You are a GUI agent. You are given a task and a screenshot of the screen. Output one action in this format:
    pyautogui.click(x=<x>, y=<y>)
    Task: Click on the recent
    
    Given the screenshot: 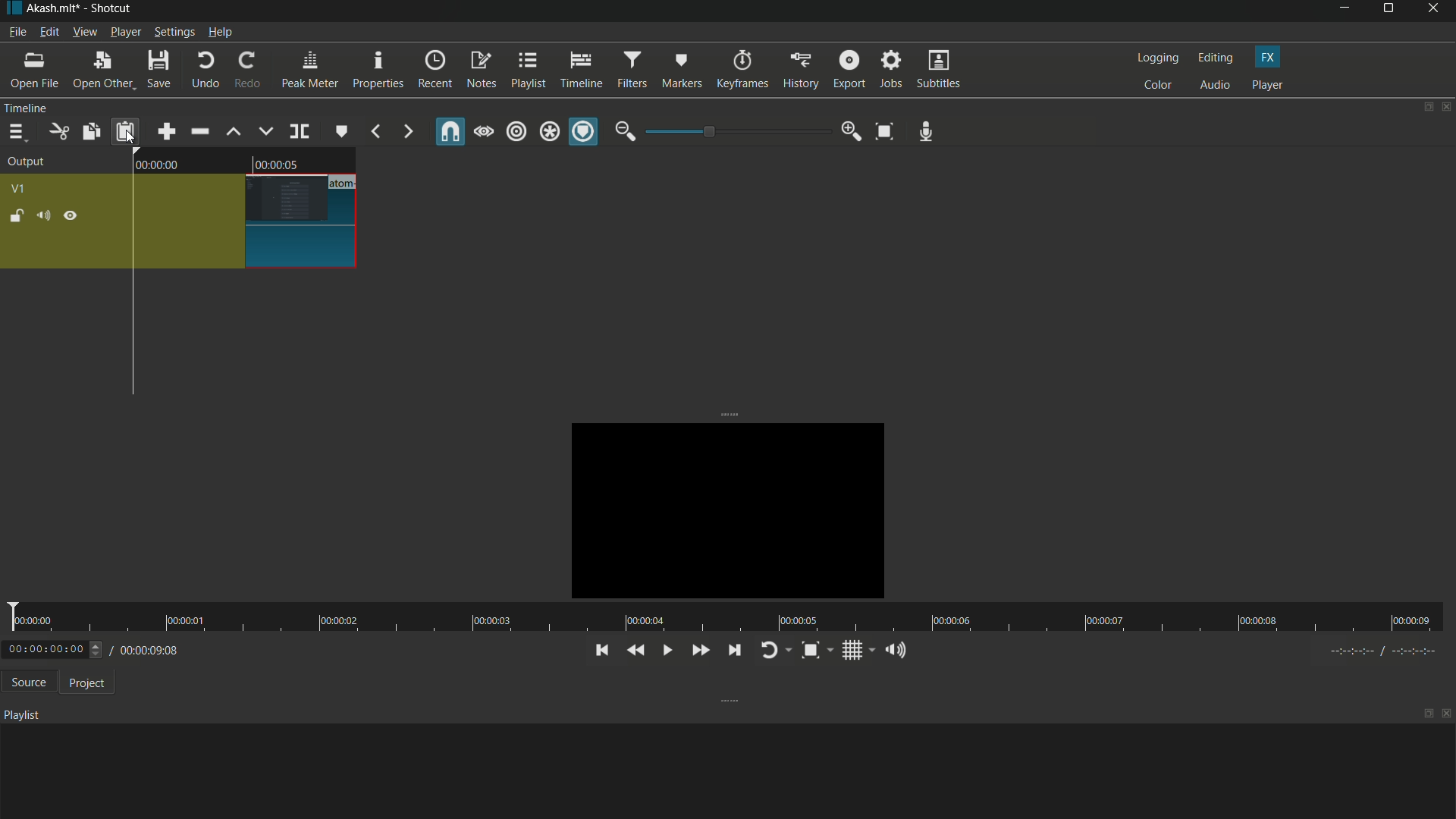 What is the action you would take?
    pyautogui.click(x=434, y=71)
    